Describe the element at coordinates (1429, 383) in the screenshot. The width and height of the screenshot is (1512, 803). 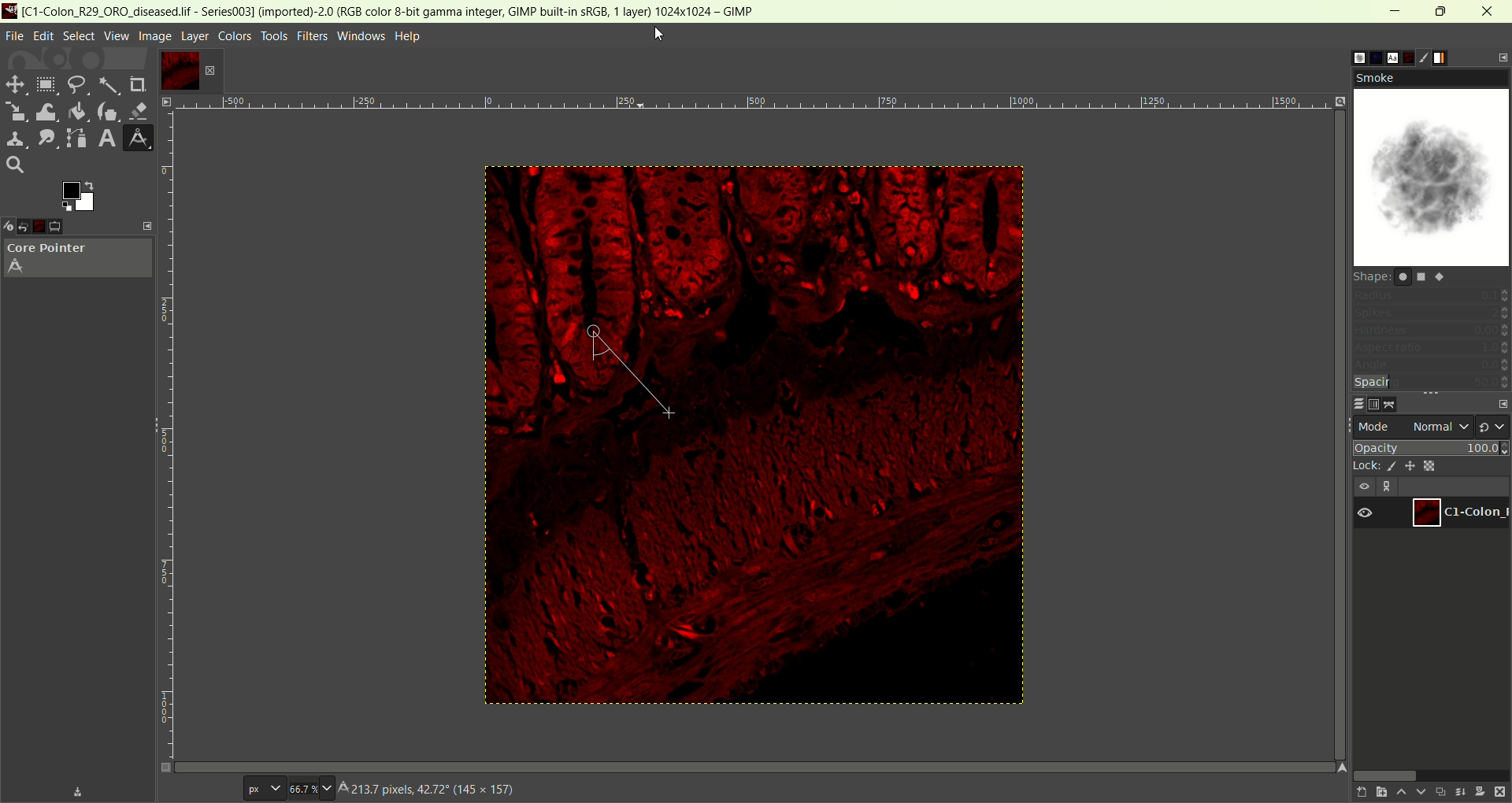
I see `spacing` at that location.